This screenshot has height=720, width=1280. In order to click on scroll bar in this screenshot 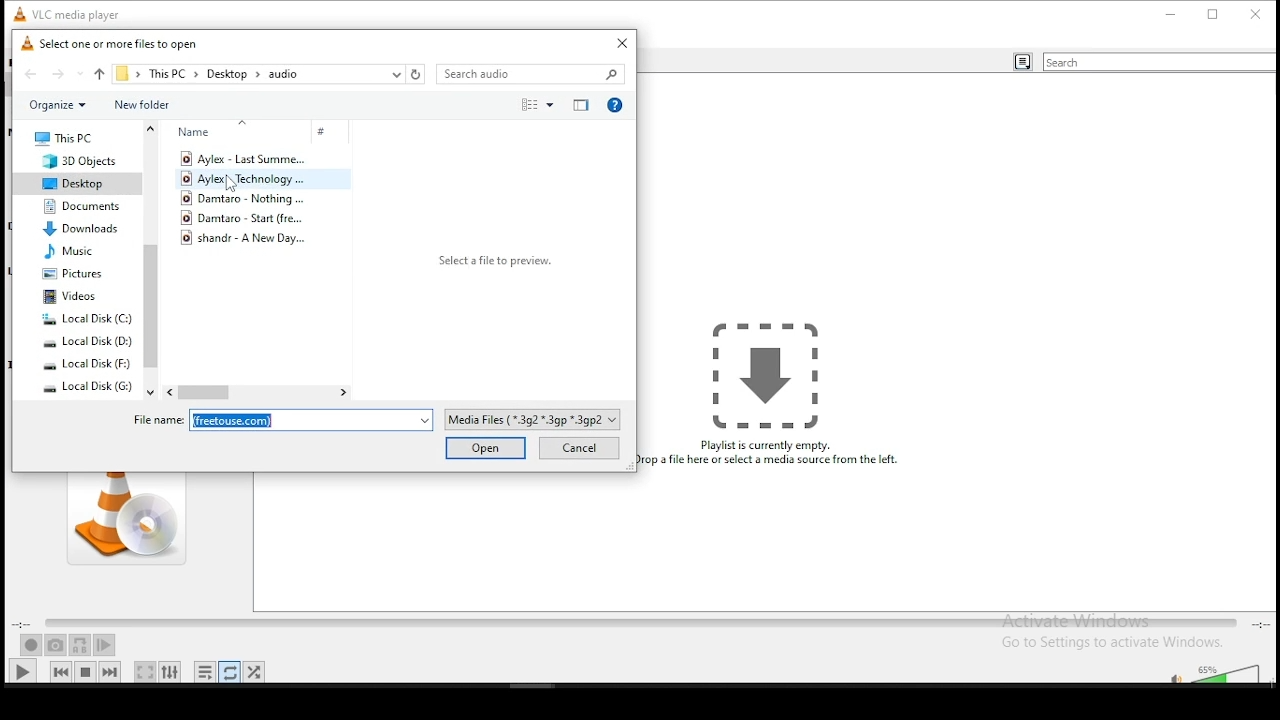, I will do `click(257, 393)`.